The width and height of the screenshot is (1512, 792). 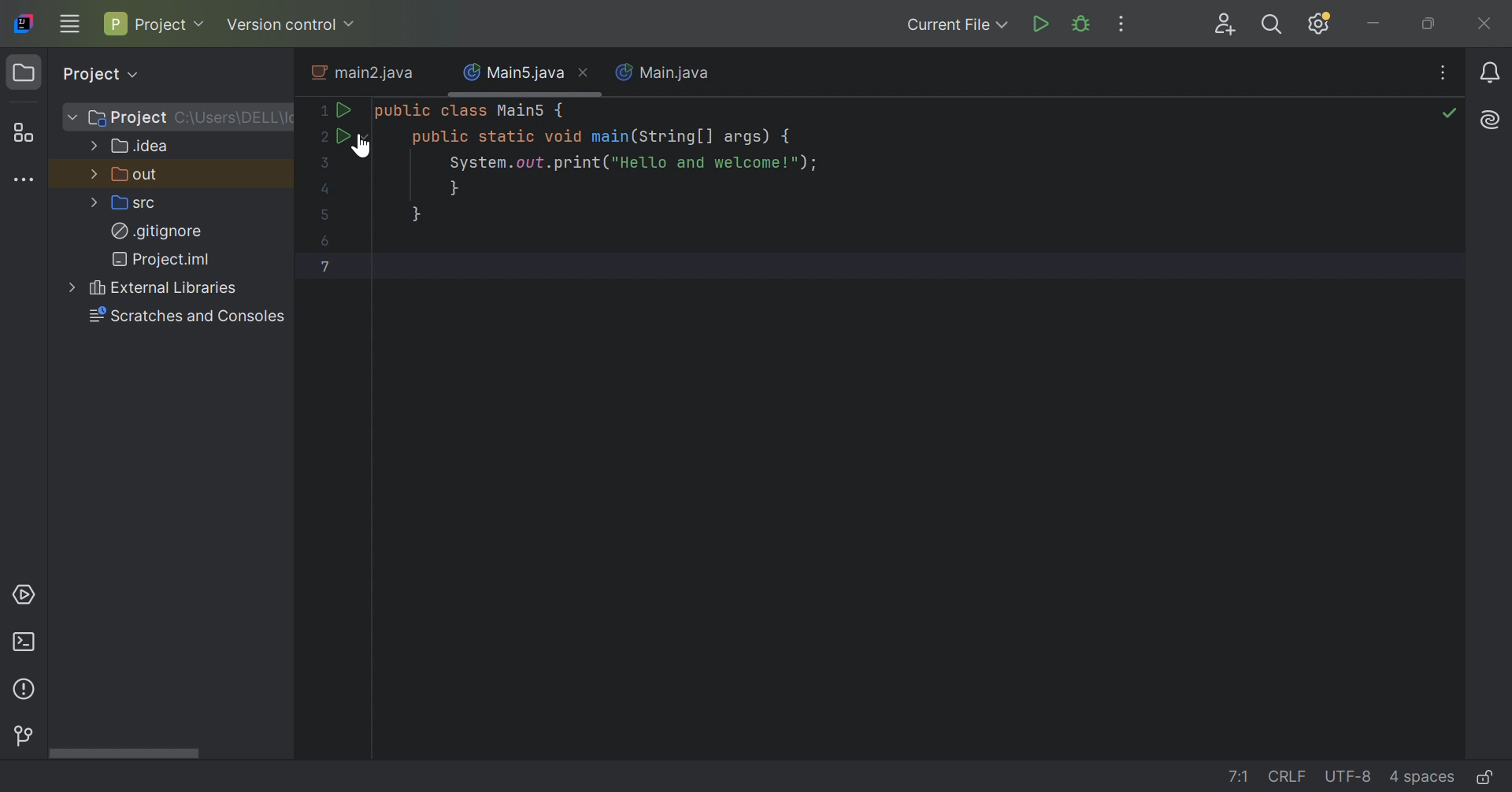 What do you see at coordinates (23, 178) in the screenshot?
I see `More tool windows` at bounding box center [23, 178].